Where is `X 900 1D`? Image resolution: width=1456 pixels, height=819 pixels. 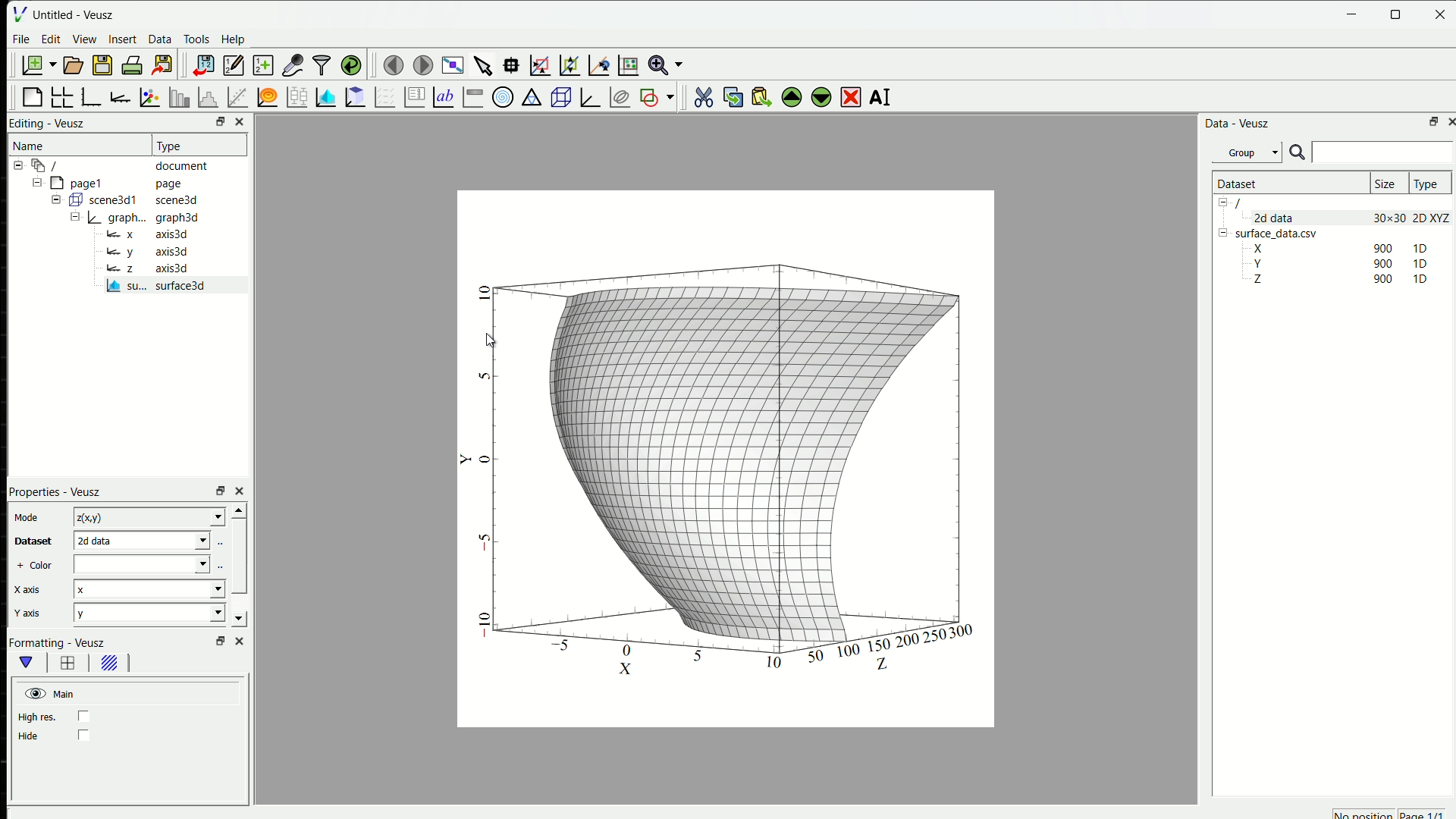
X 900 1D is located at coordinates (1335, 248).